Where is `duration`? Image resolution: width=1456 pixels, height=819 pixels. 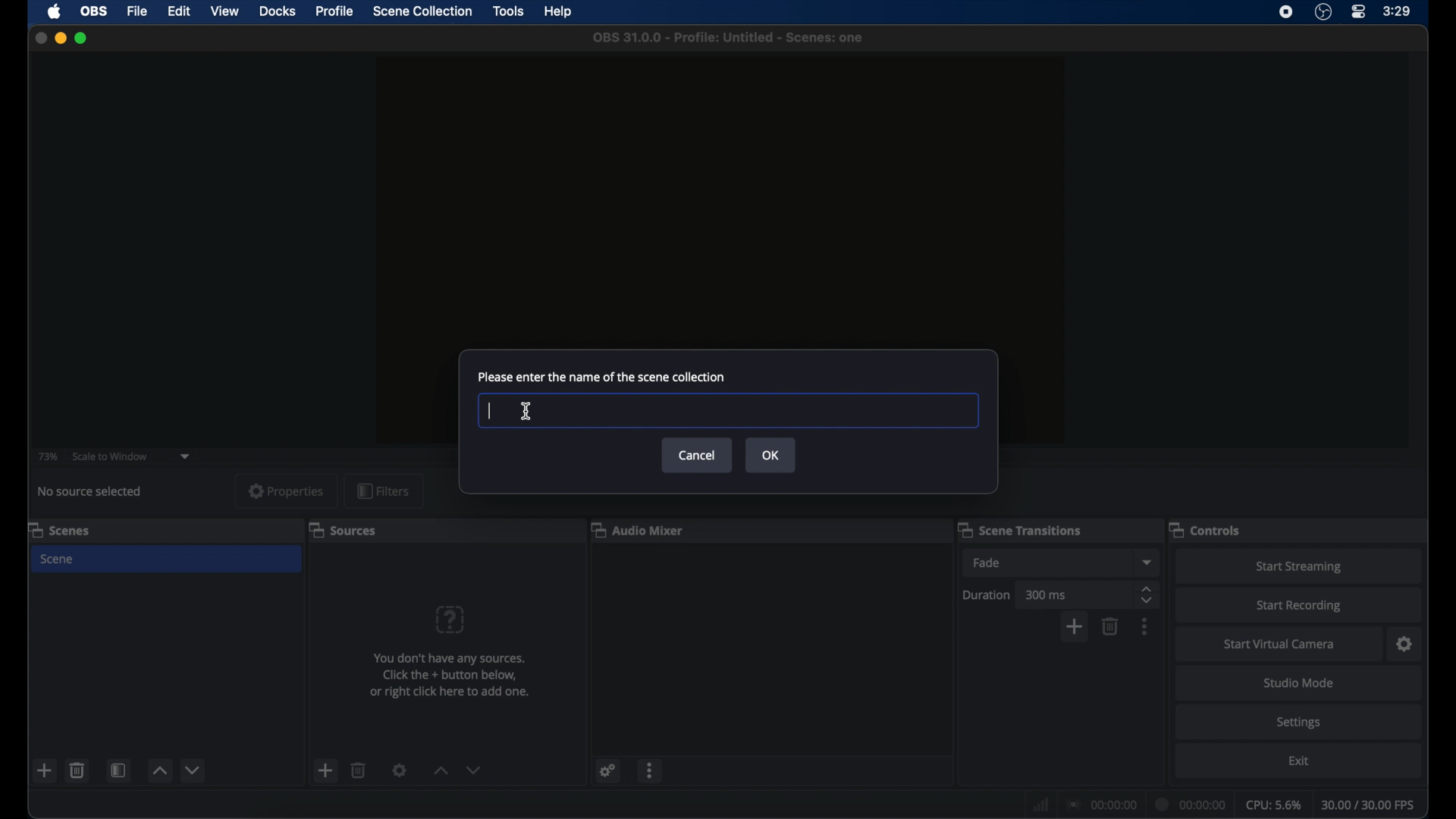
duration is located at coordinates (987, 595).